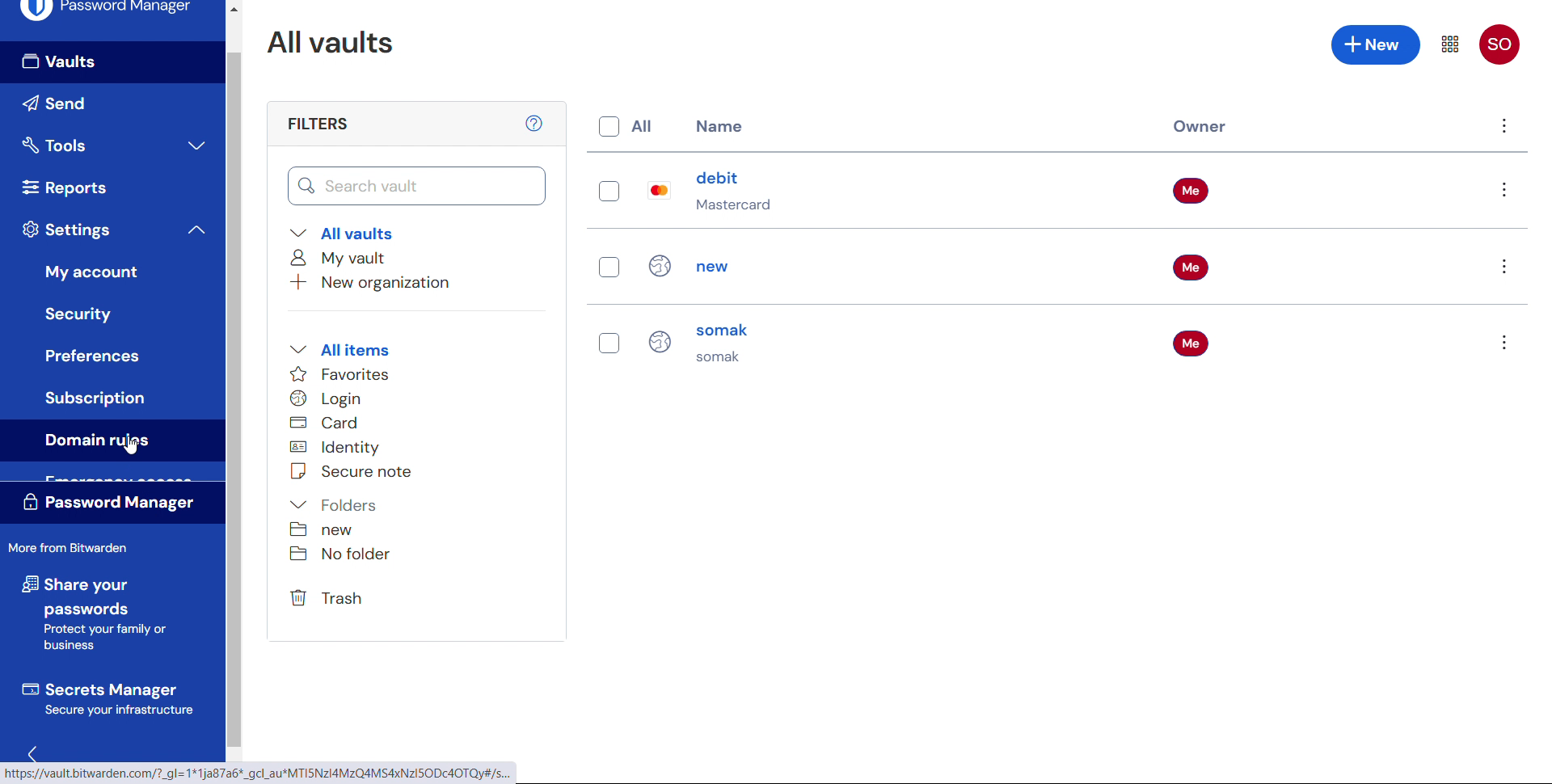 The width and height of the screenshot is (1552, 784). Describe the element at coordinates (71, 549) in the screenshot. I see `More from Bit Warden` at that location.